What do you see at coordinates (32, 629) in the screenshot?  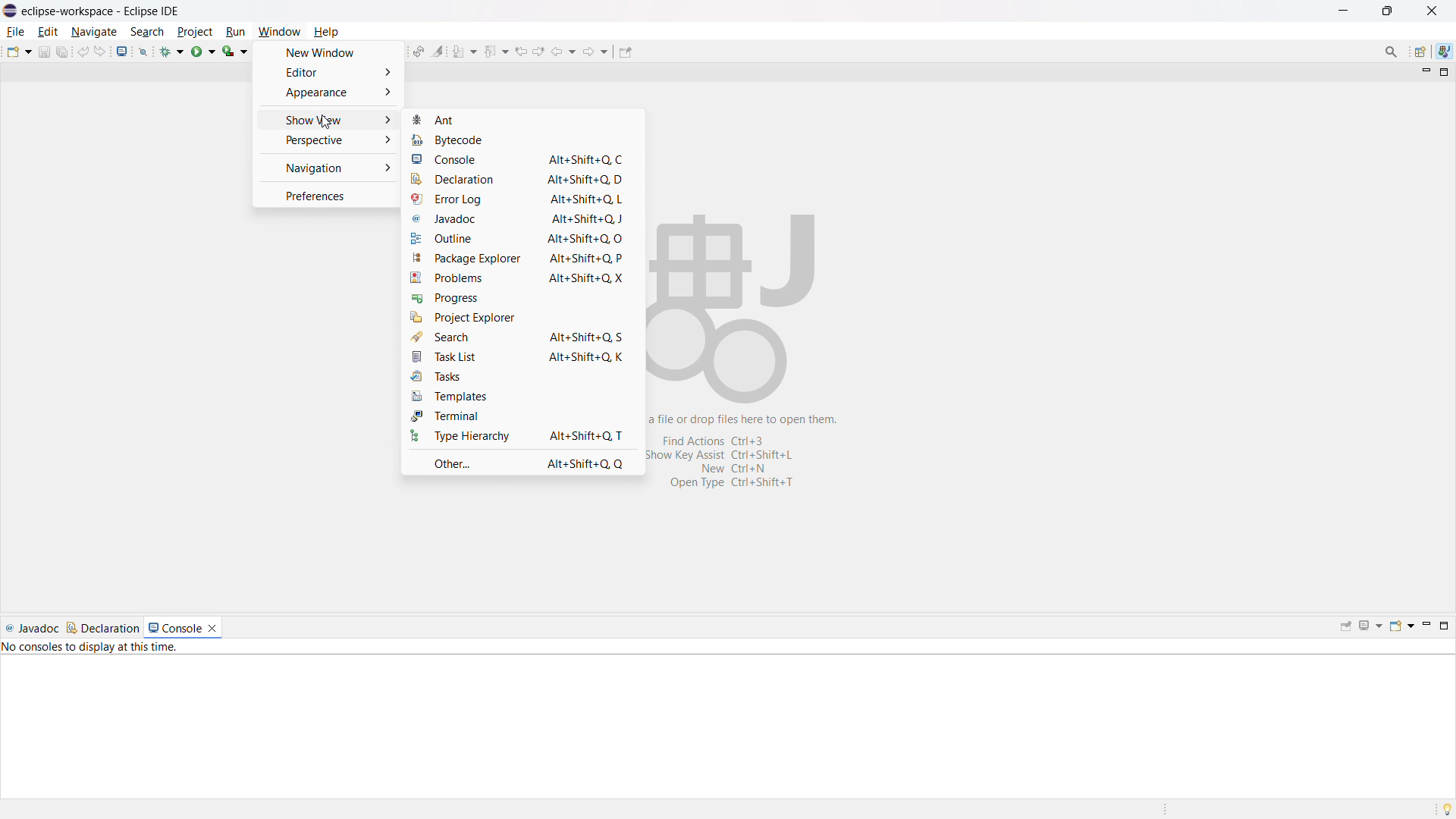 I see `javadoc` at bounding box center [32, 629].